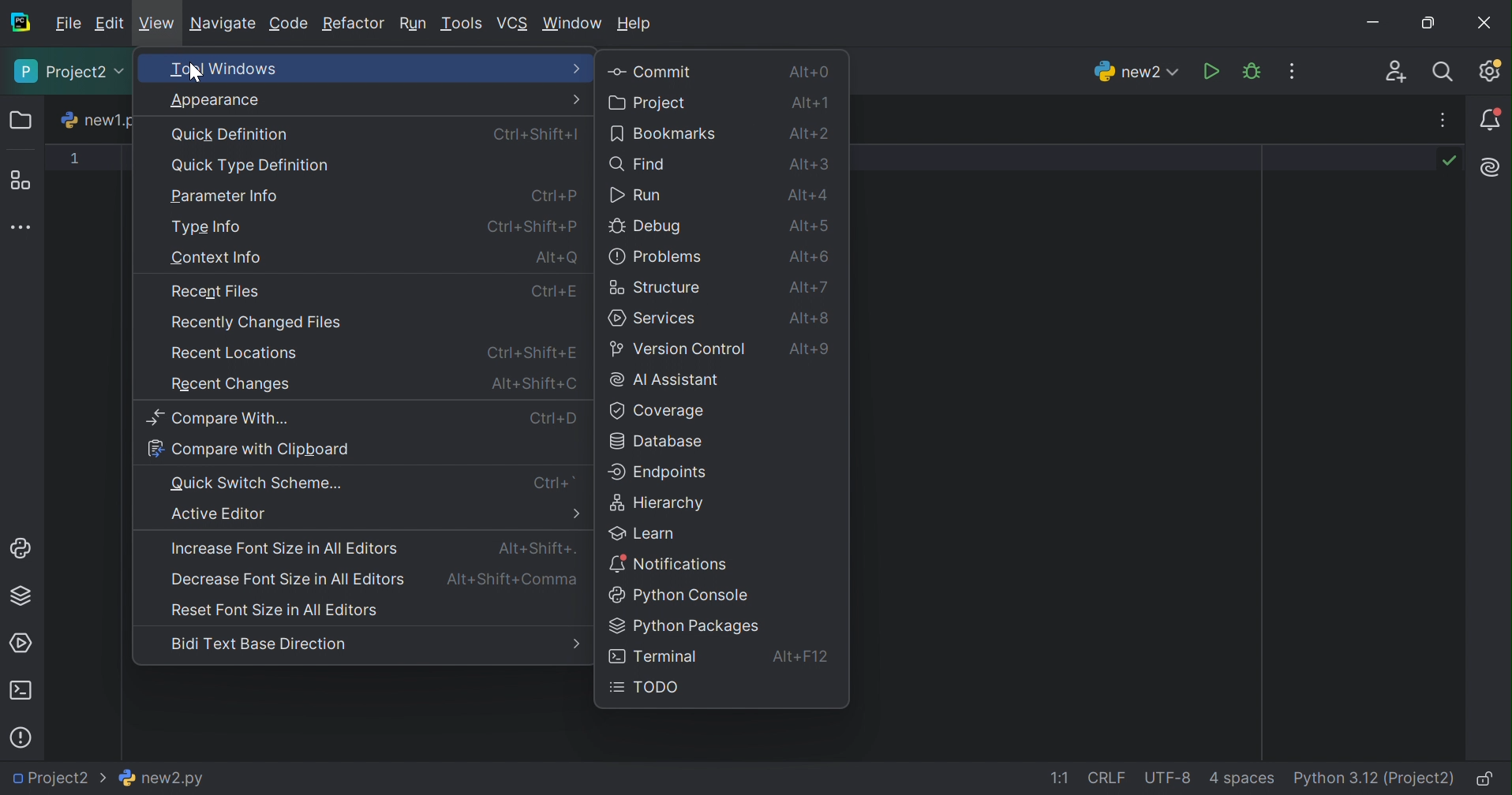  Describe the element at coordinates (462, 24) in the screenshot. I see `Tools` at that location.